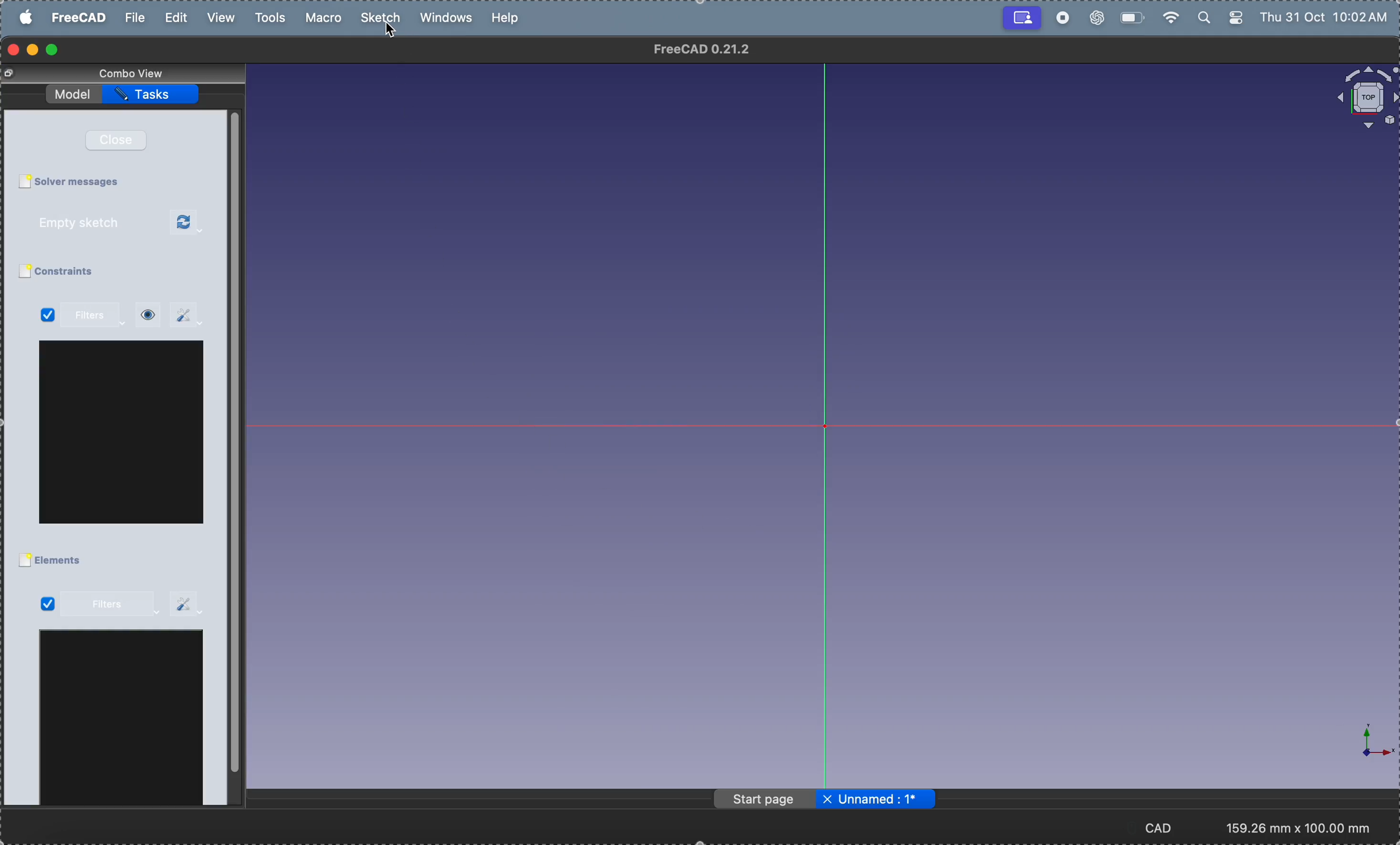 The image size is (1400, 845). I want to click on Recording, so click(1022, 16).